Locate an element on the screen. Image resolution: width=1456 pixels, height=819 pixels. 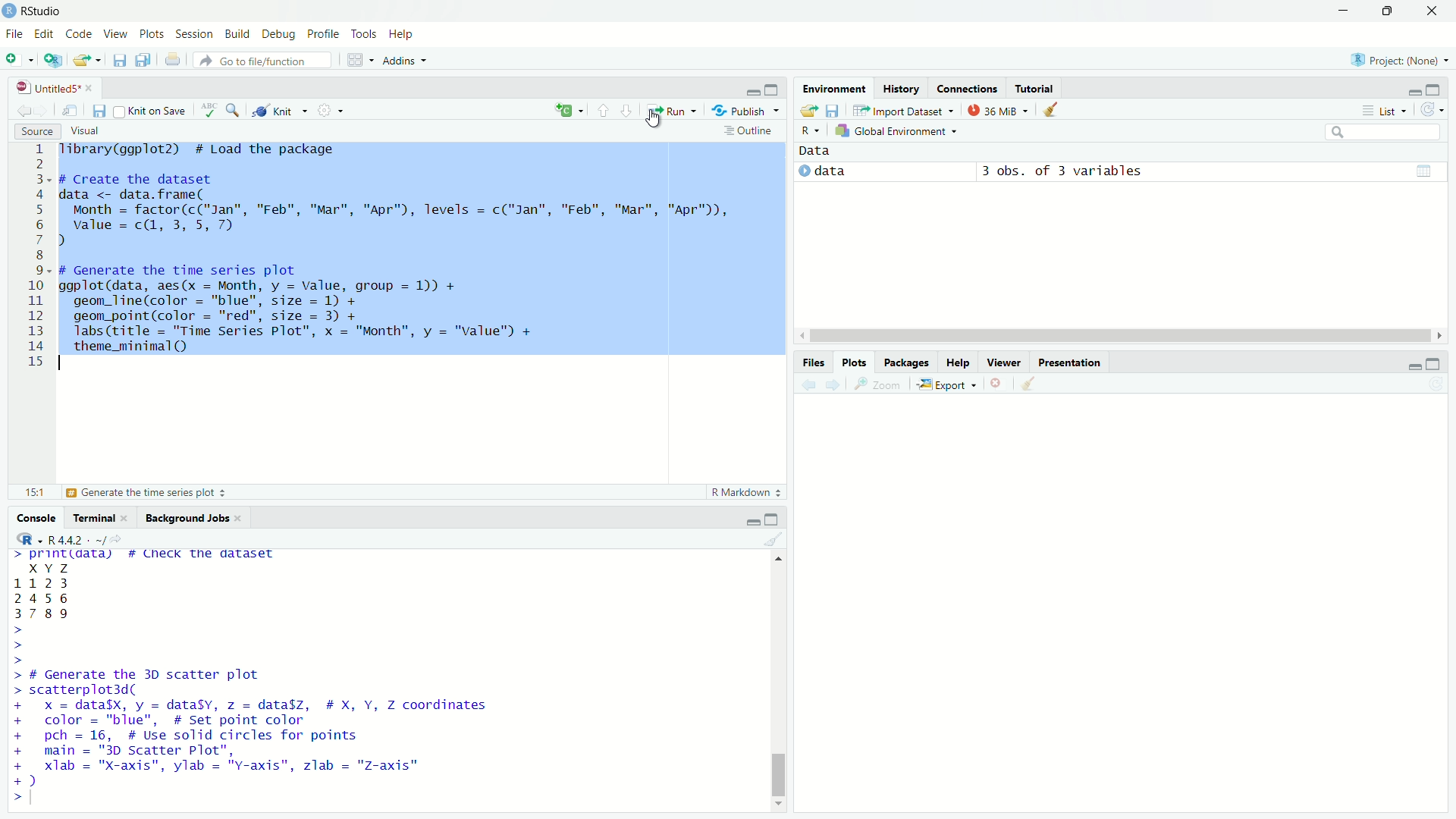
visual is located at coordinates (88, 130).